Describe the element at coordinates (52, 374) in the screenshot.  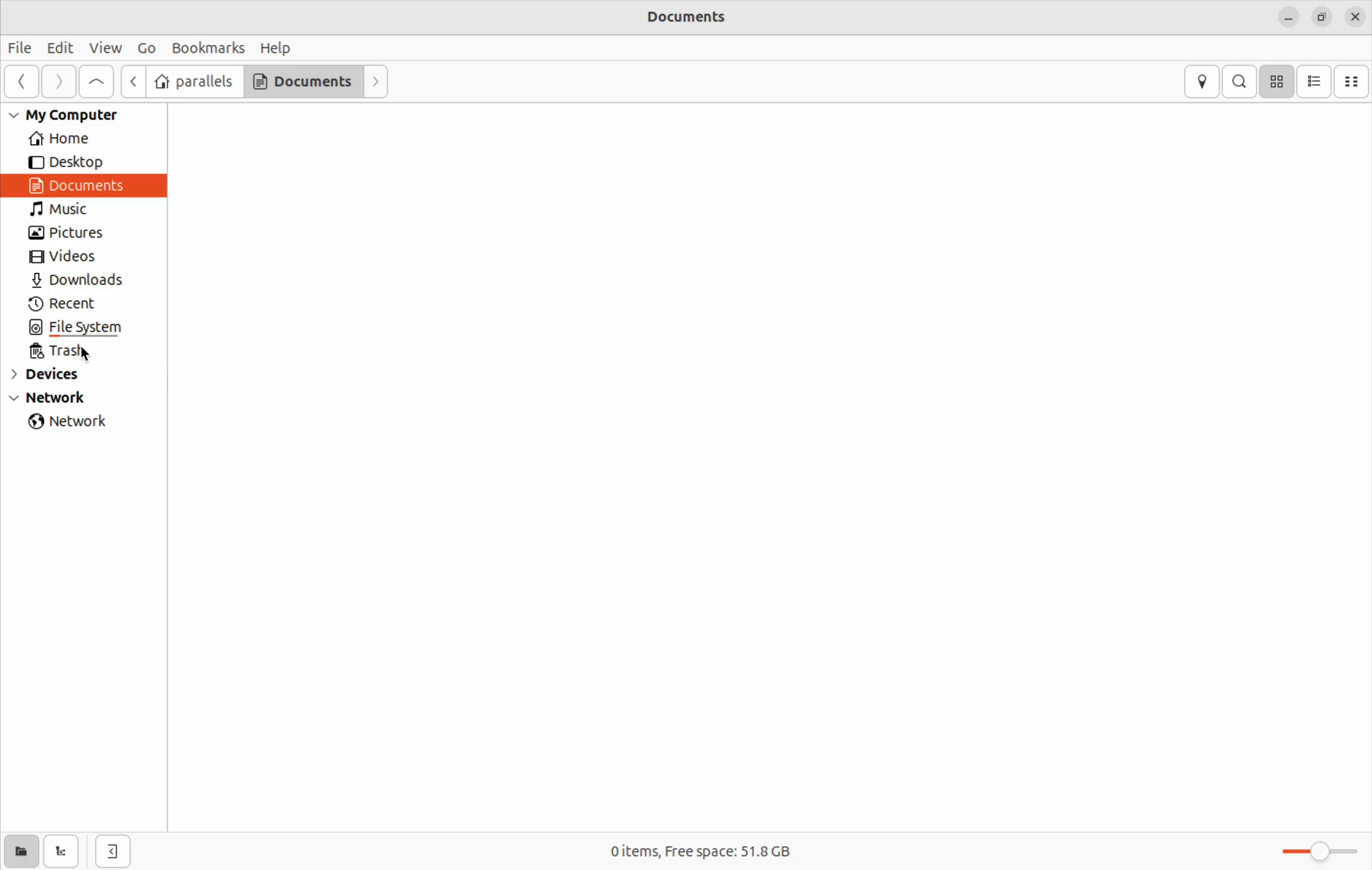
I see `devices` at that location.